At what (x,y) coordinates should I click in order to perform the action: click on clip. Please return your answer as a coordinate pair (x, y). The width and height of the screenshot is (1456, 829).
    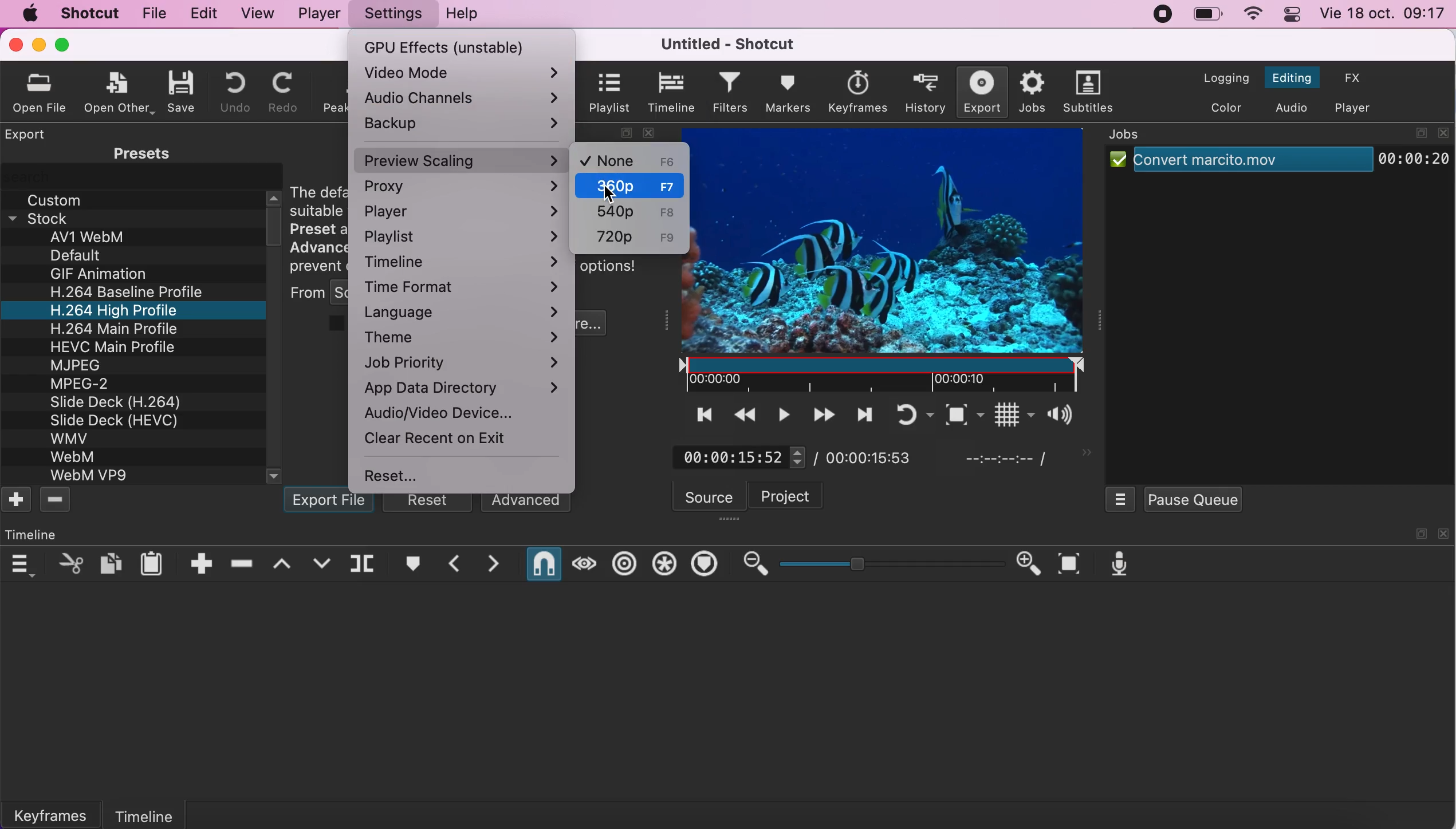
    Looking at the image, I should click on (895, 258).